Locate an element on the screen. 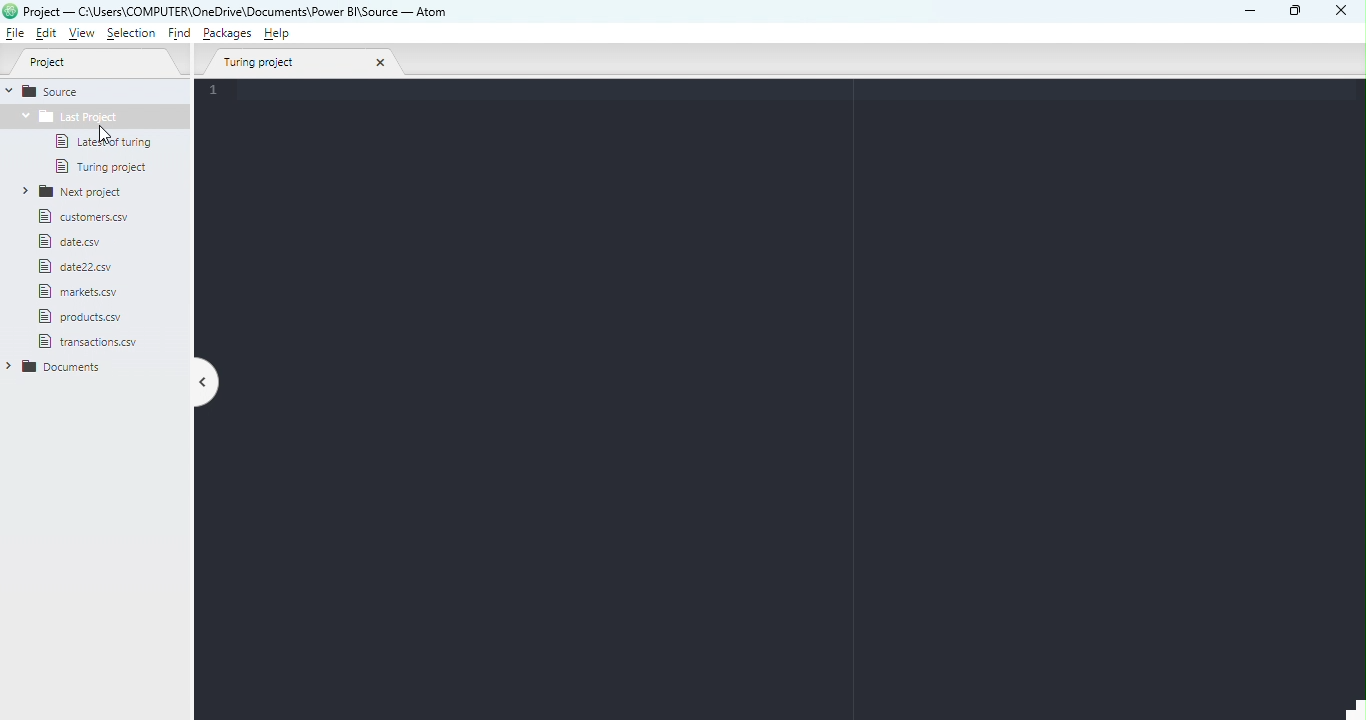  file is located at coordinates (100, 294).